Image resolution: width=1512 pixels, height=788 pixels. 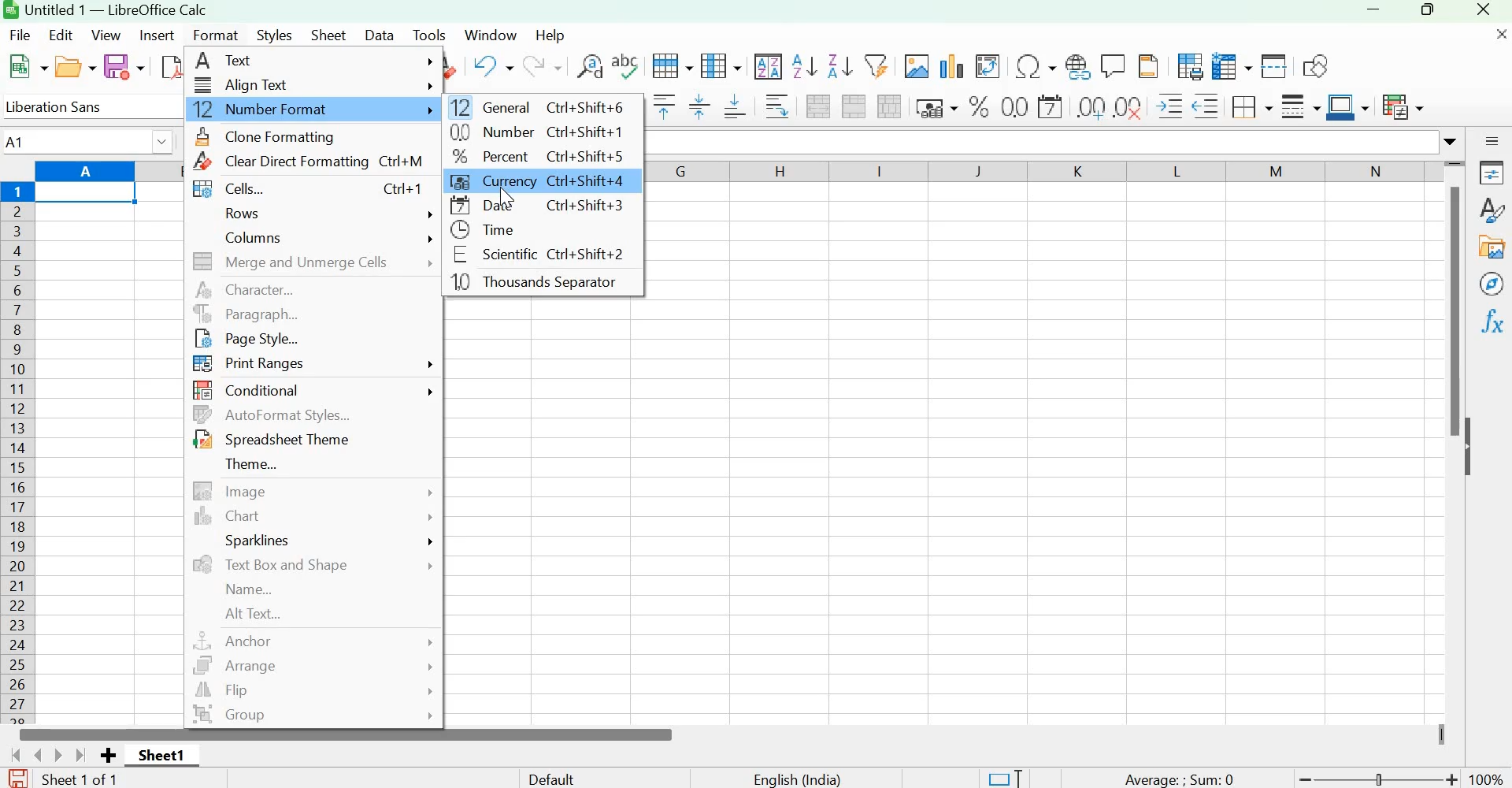 What do you see at coordinates (736, 110) in the screenshot?
I see `Align bottom` at bounding box center [736, 110].